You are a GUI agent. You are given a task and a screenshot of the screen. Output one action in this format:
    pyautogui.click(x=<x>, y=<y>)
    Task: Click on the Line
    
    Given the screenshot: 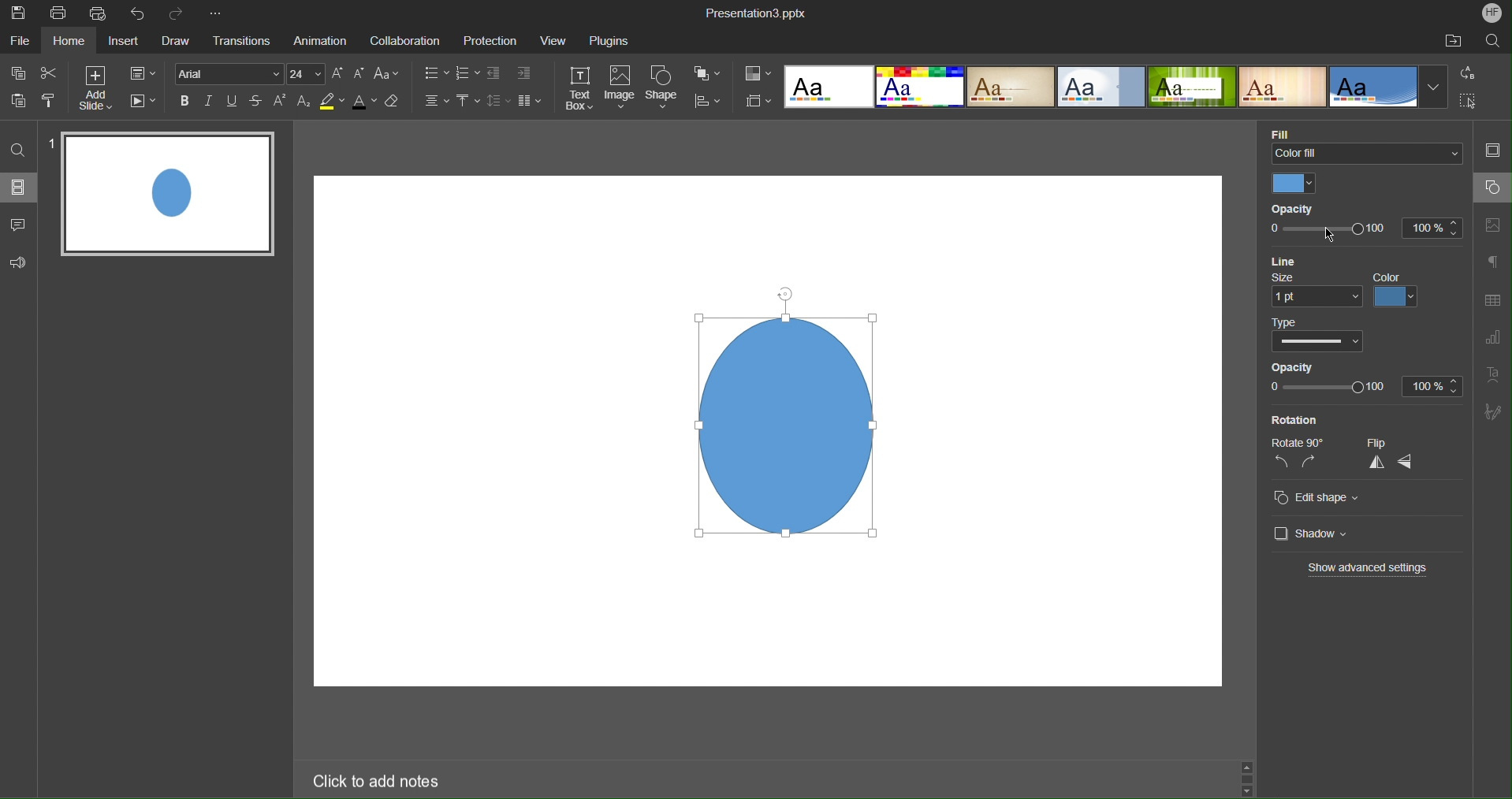 What is the action you would take?
    pyautogui.click(x=1291, y=261)
    